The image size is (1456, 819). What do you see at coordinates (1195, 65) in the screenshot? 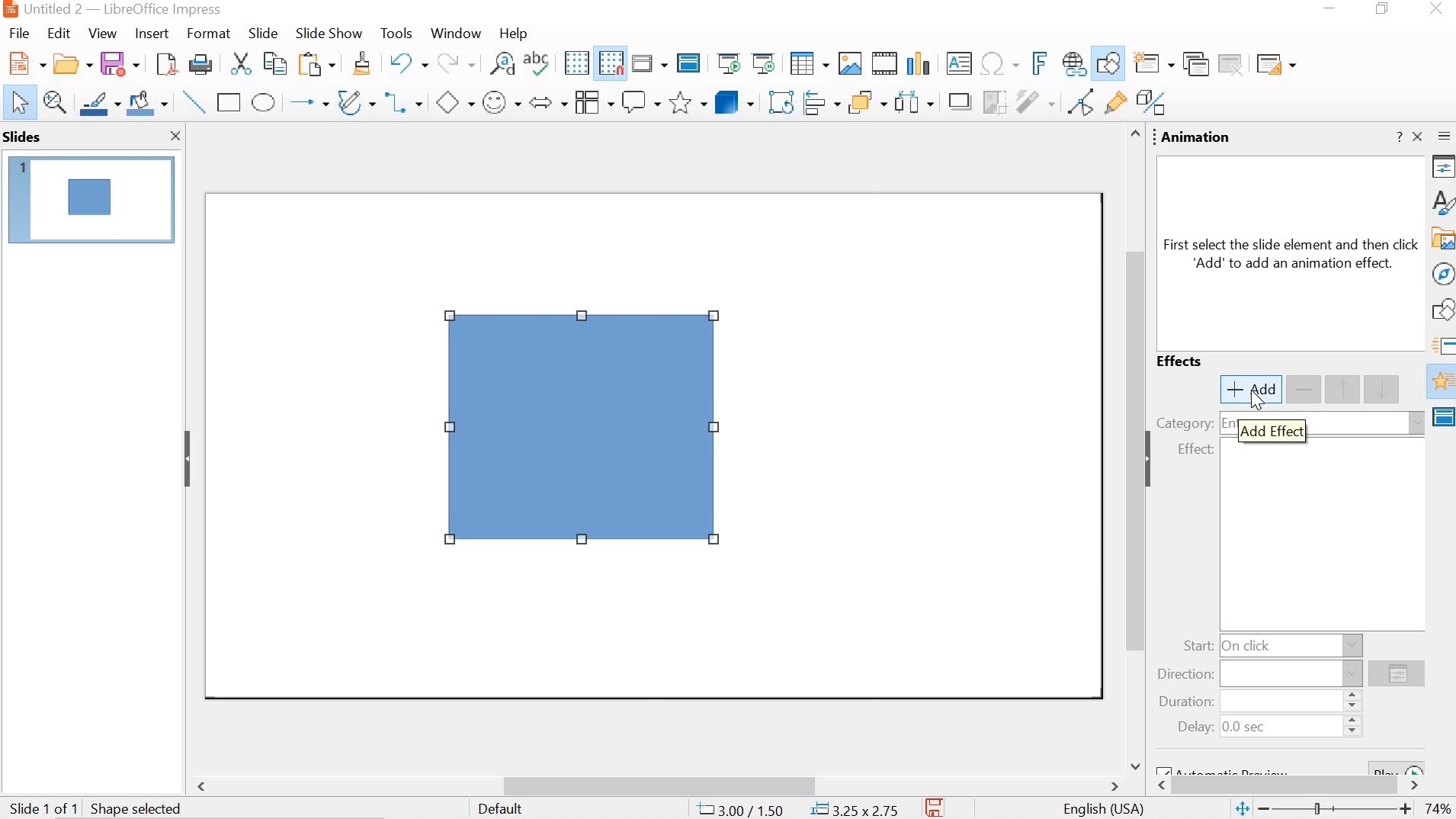
I see `duplicate slide` at bounding box center [1195, 65].